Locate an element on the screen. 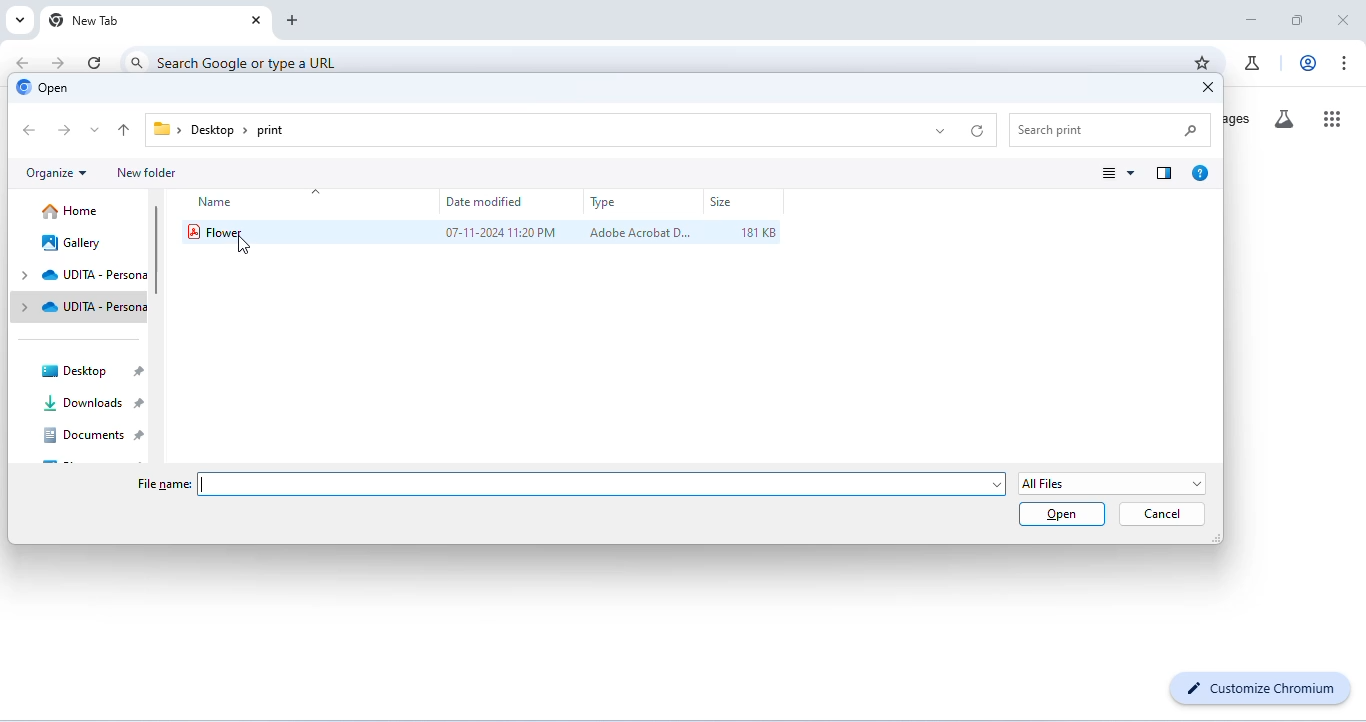  change view is located at coordinates (1119, 172).